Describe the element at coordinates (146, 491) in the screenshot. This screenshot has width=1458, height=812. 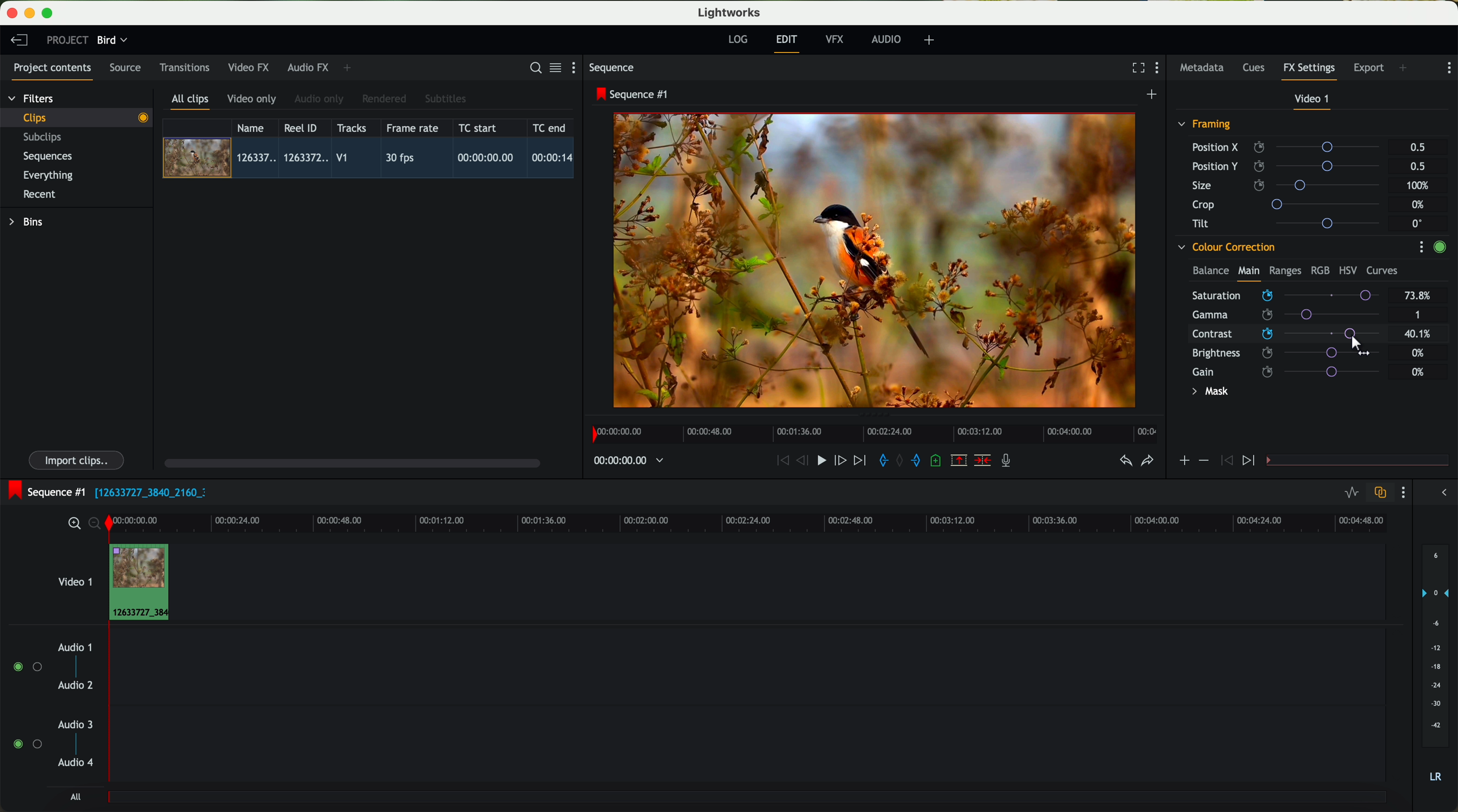
I see `black` at that location.